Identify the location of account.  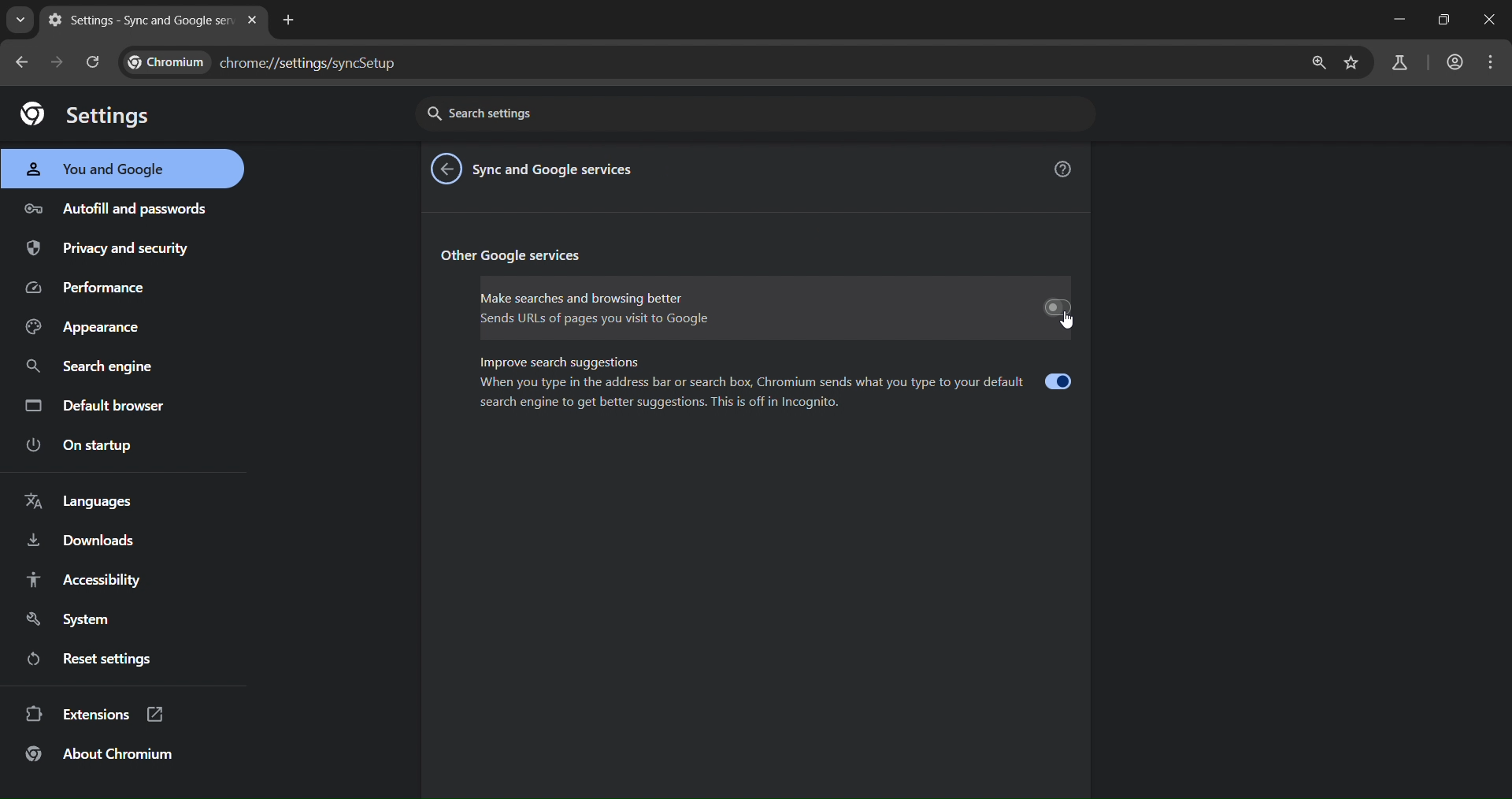
(1455, 63).